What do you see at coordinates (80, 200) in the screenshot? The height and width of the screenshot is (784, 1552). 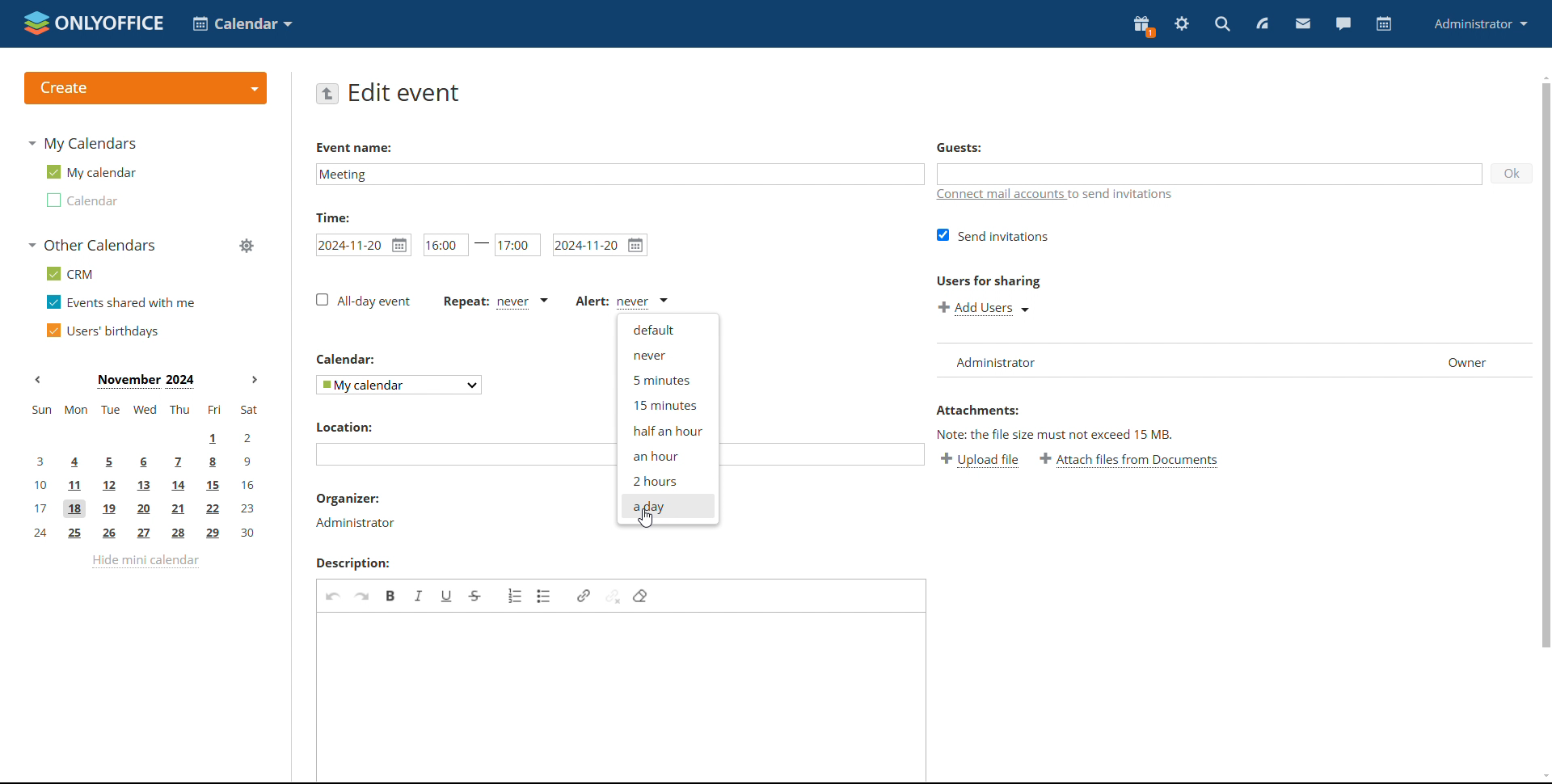 I see `second calendar` at bounding box center [80, 200].